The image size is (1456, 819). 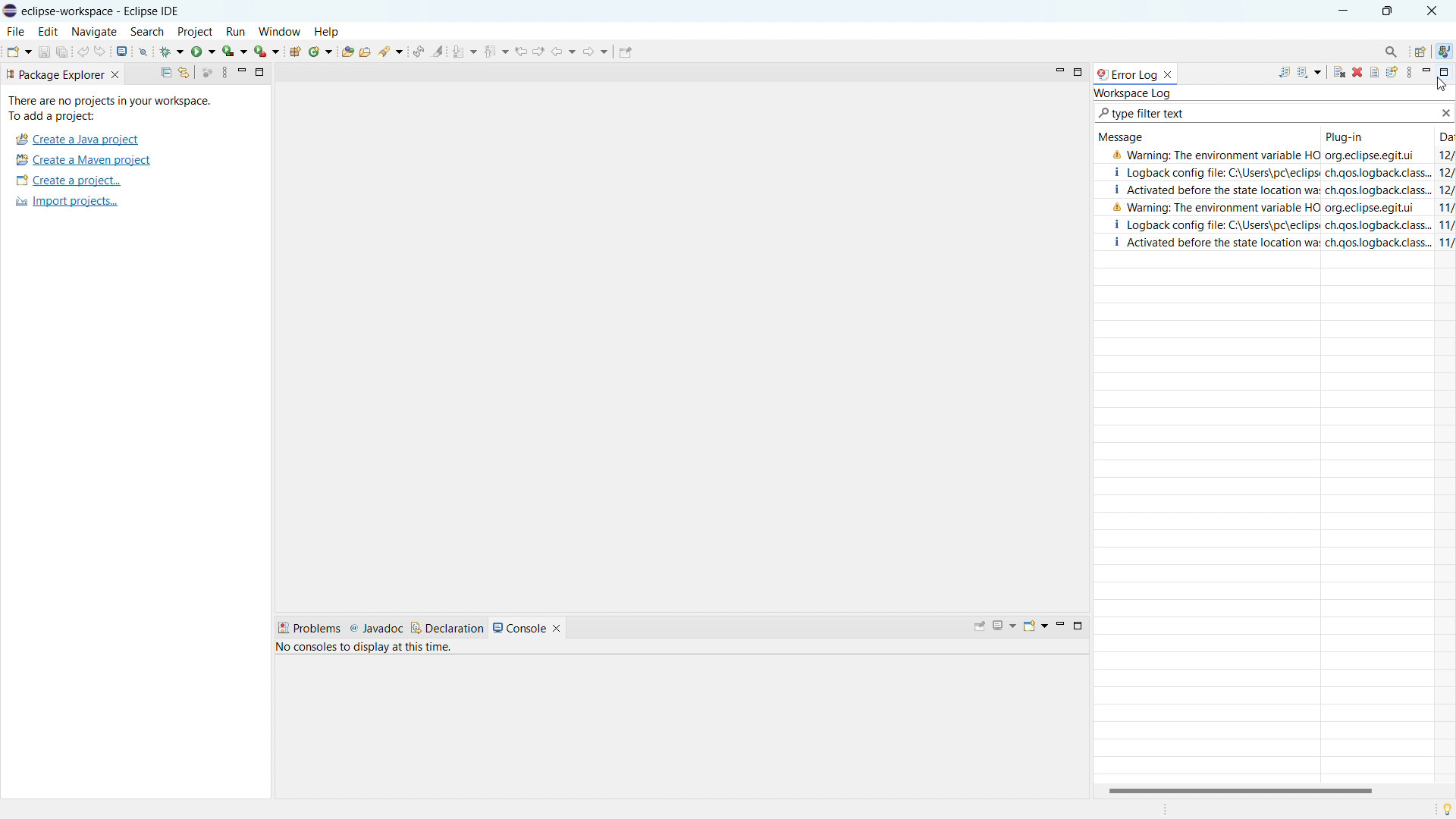 What do you see at coordinates (1357, 72) in the screenshot?
I see `delete log` at bounding box center [1357, 72].